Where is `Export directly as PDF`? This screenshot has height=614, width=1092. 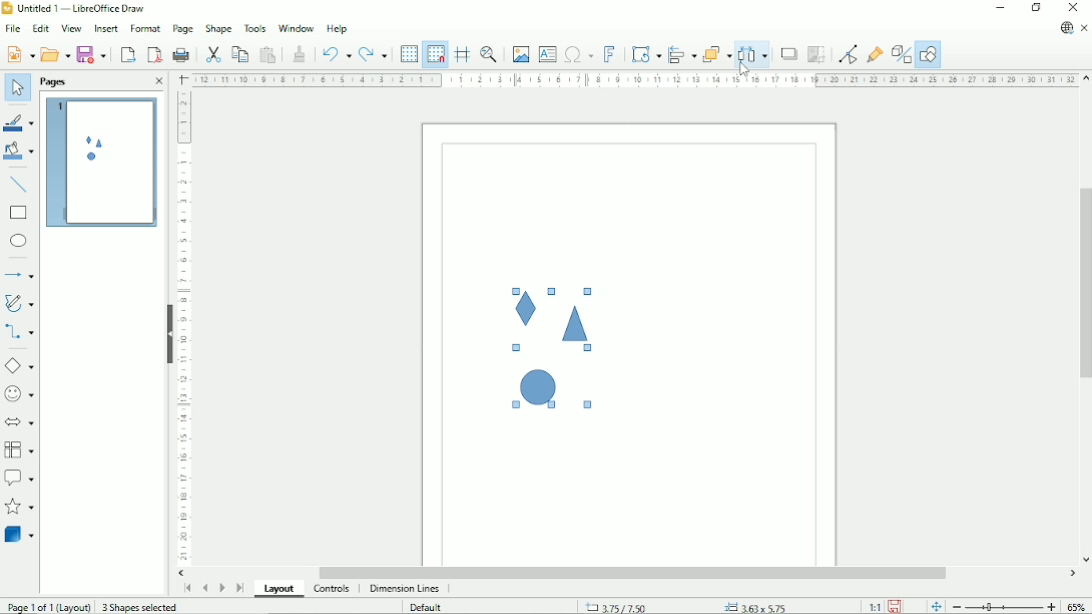 Export directly as PDF is located at coordinates (154, 54).